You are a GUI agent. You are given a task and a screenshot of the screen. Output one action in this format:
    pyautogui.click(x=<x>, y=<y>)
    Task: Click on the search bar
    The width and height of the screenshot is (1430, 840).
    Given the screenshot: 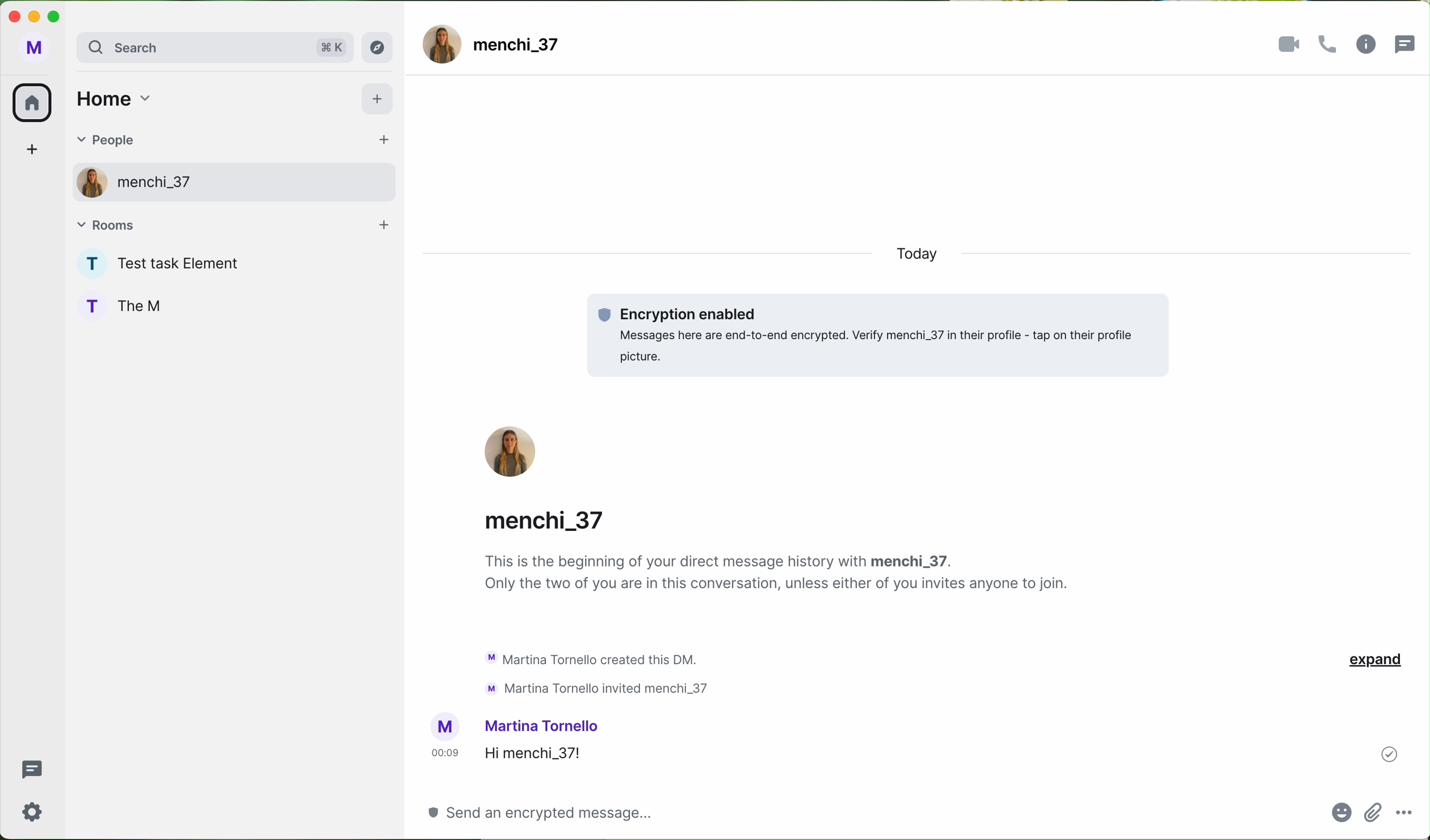 What is the action you would take?
    pyautogui.click(x=182, y=49)
    